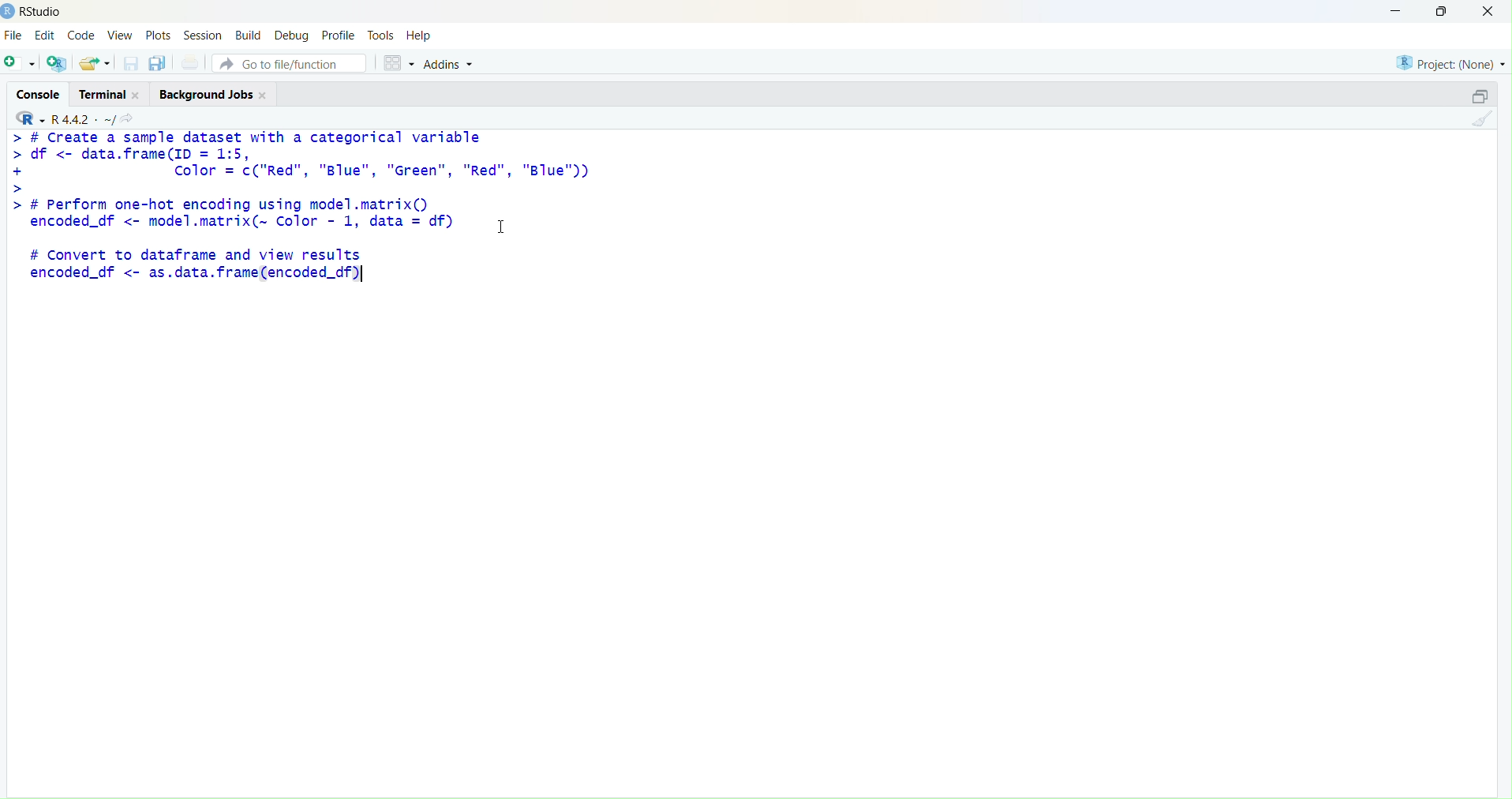 This screenshot has width=1512, height=799. I want to click on file, so click(13, 35).